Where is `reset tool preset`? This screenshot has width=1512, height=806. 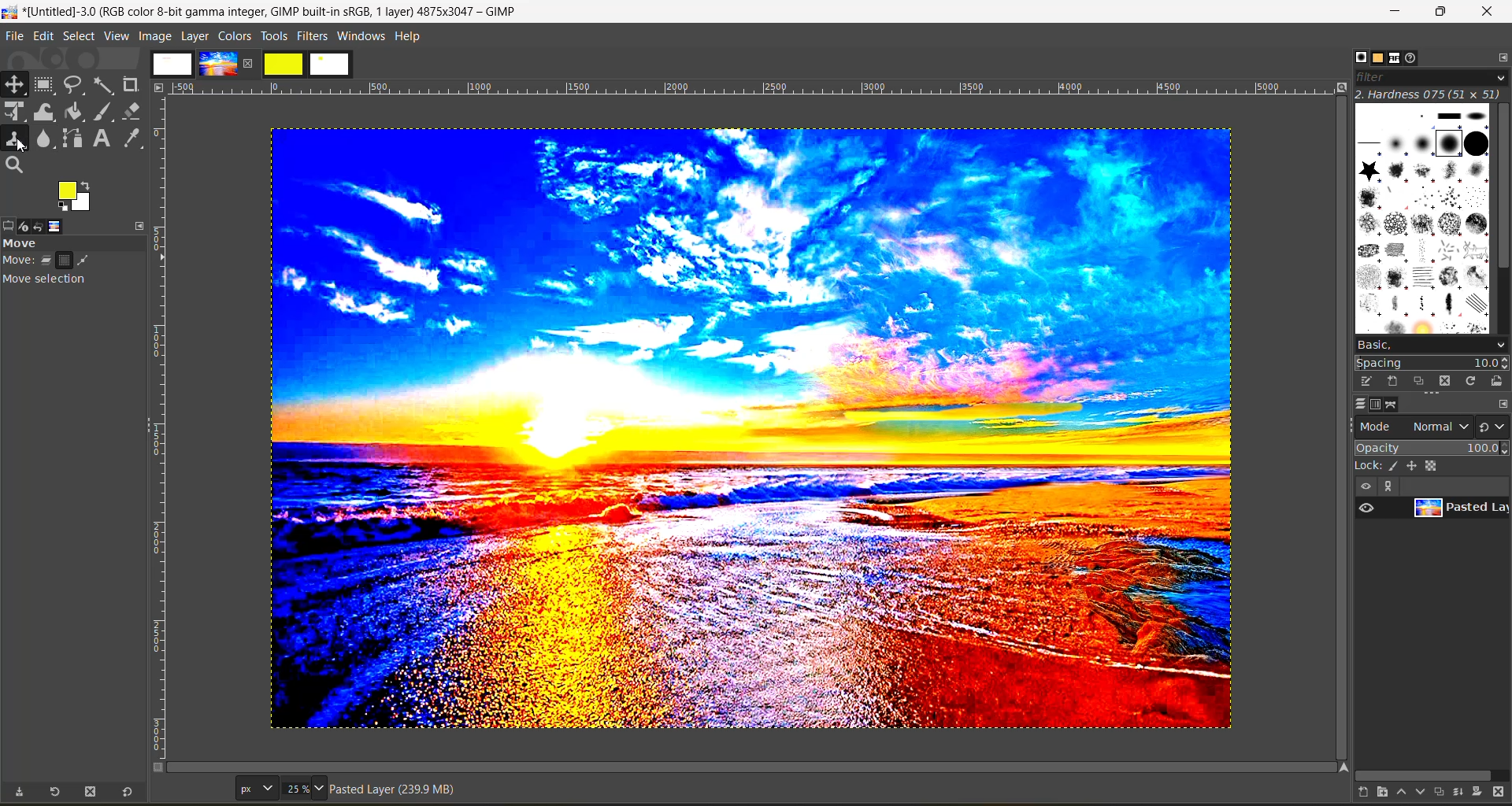 reset tool preset is located at coordinates (55, 791).